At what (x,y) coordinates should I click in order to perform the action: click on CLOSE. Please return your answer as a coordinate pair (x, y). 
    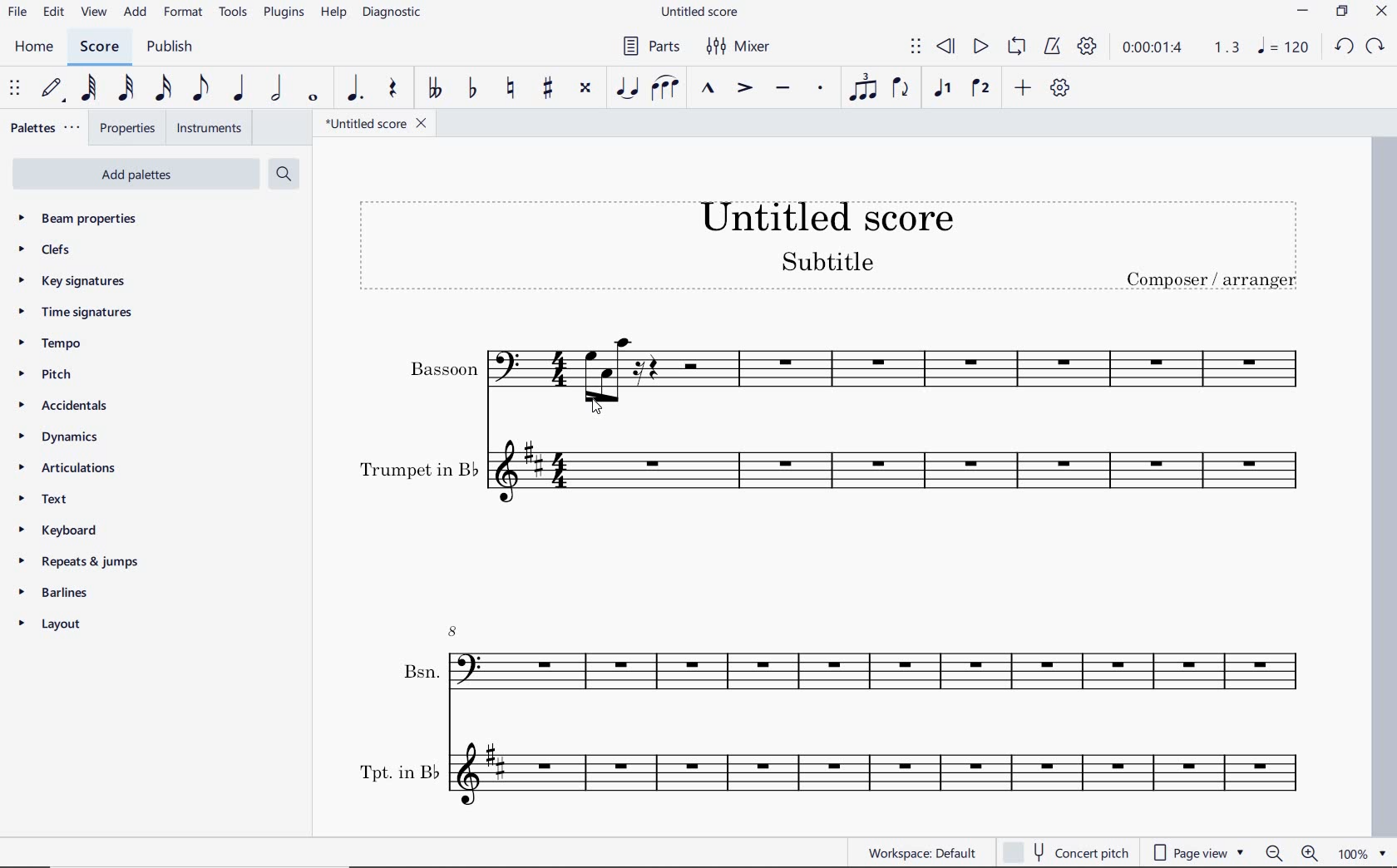
    Looking at the image, I should click on (1382, 13).